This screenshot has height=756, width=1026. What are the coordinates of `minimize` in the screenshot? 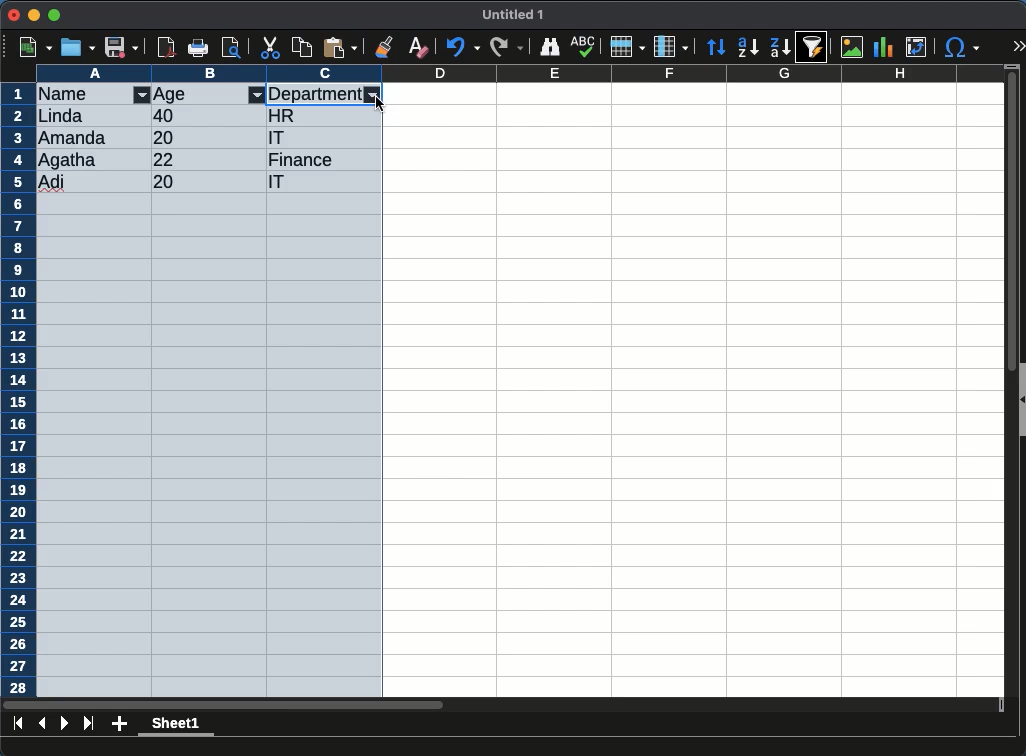 It's located at (35, 14).